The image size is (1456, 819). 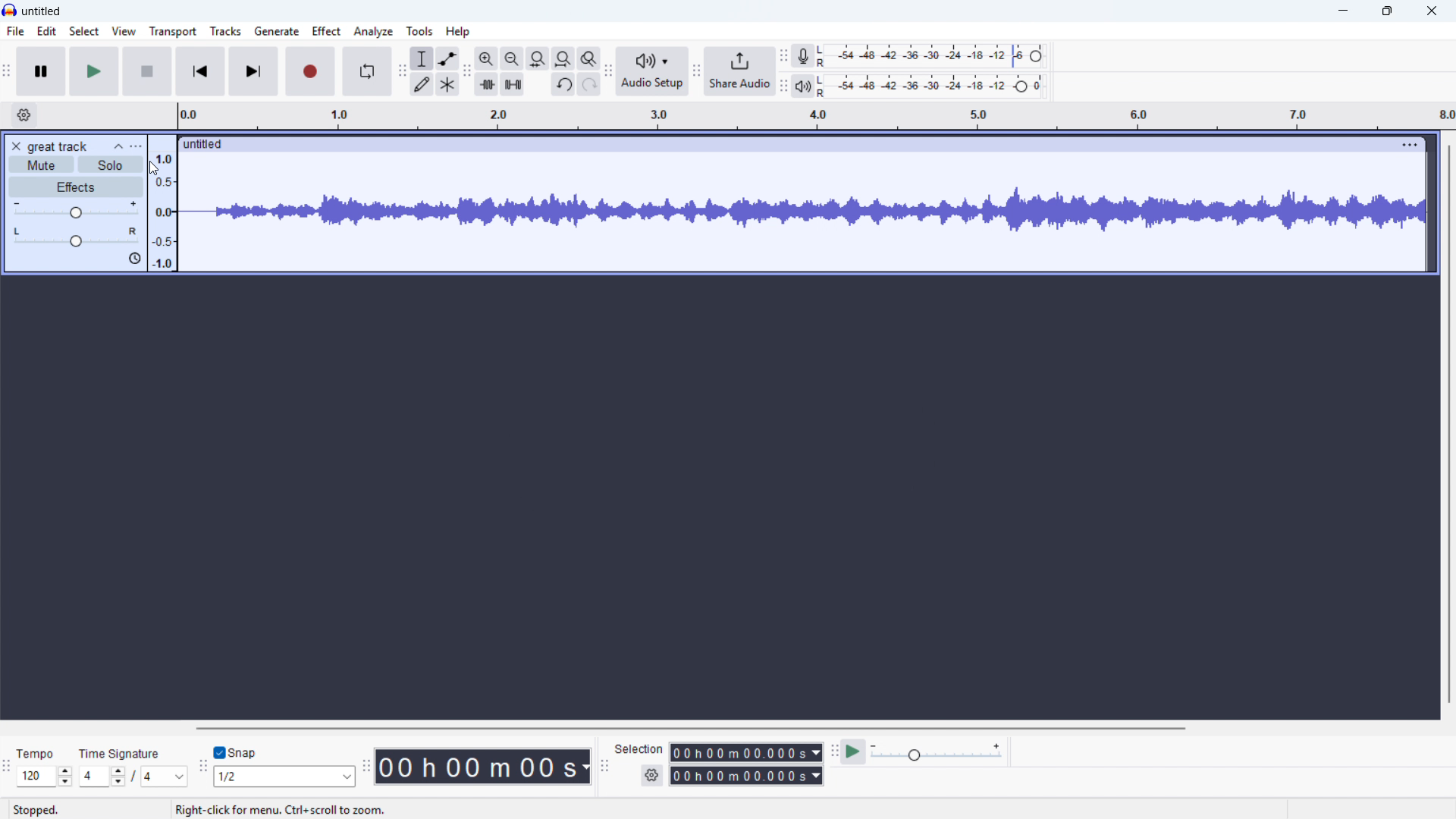 I want to click on play , so click(x=95, y=72).